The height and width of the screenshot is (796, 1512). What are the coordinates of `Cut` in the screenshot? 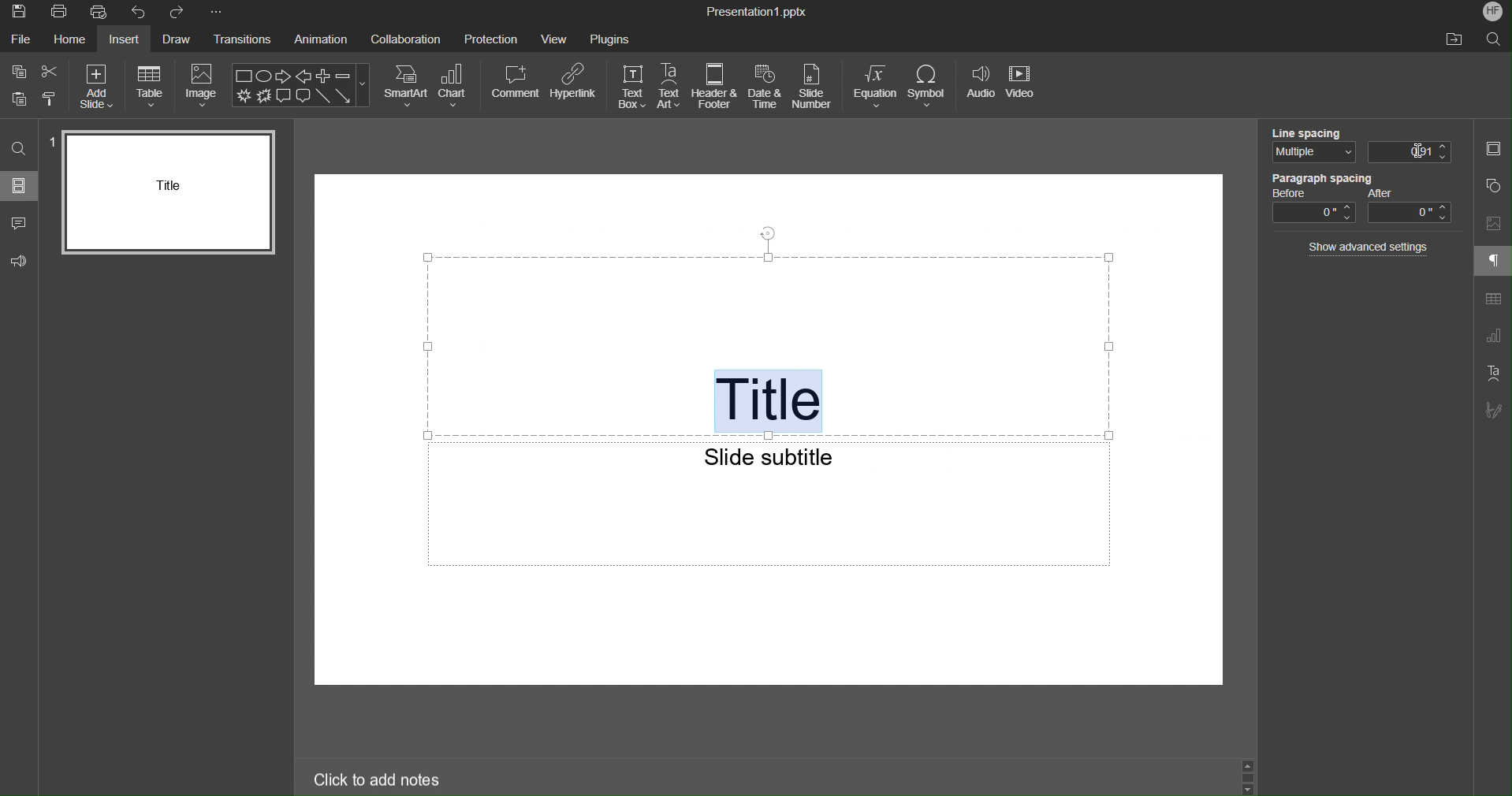 It's located at (50, 70).